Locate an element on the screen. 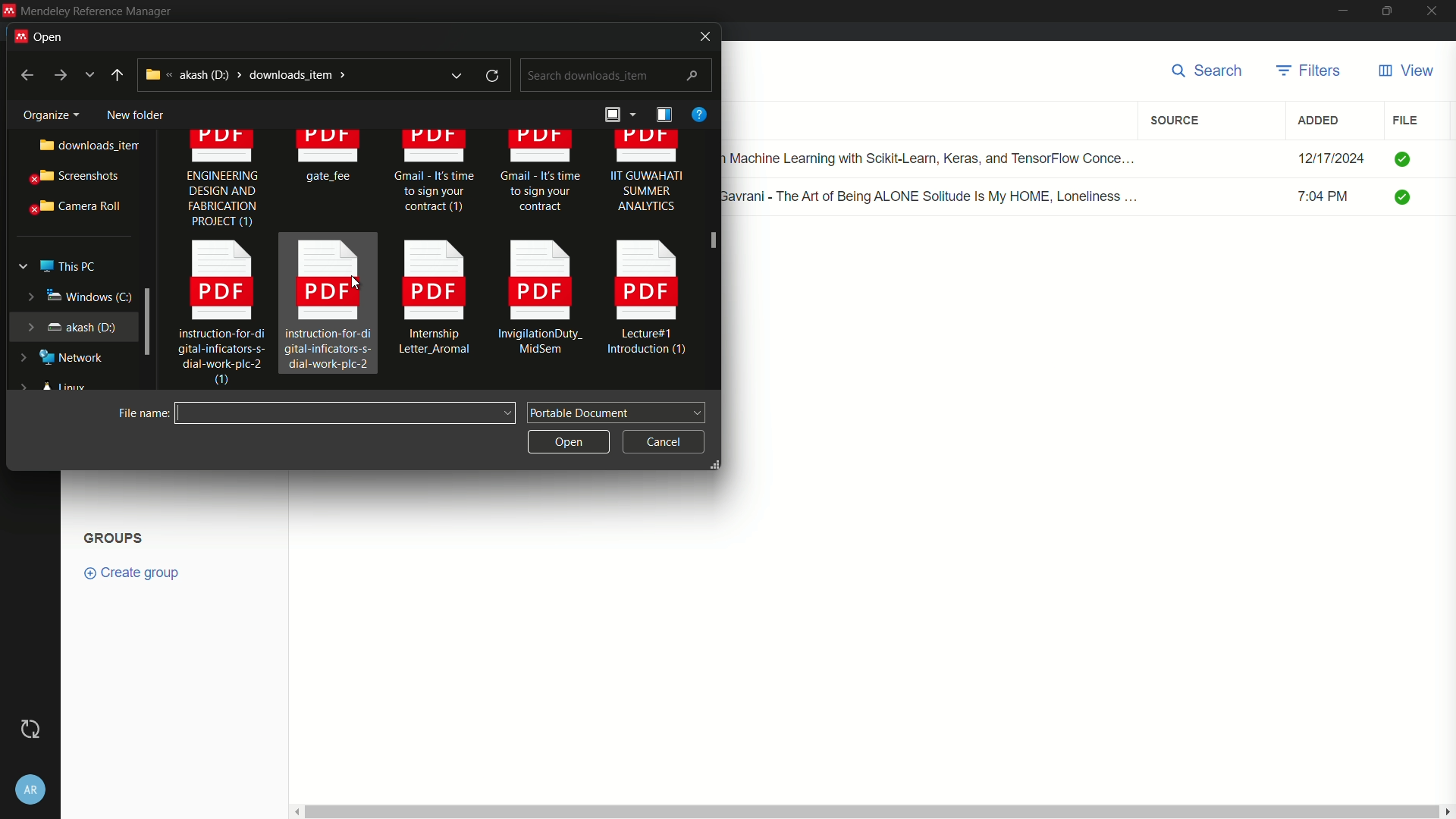  Mendeley Reference Manager is located at coordinates (96, 11).